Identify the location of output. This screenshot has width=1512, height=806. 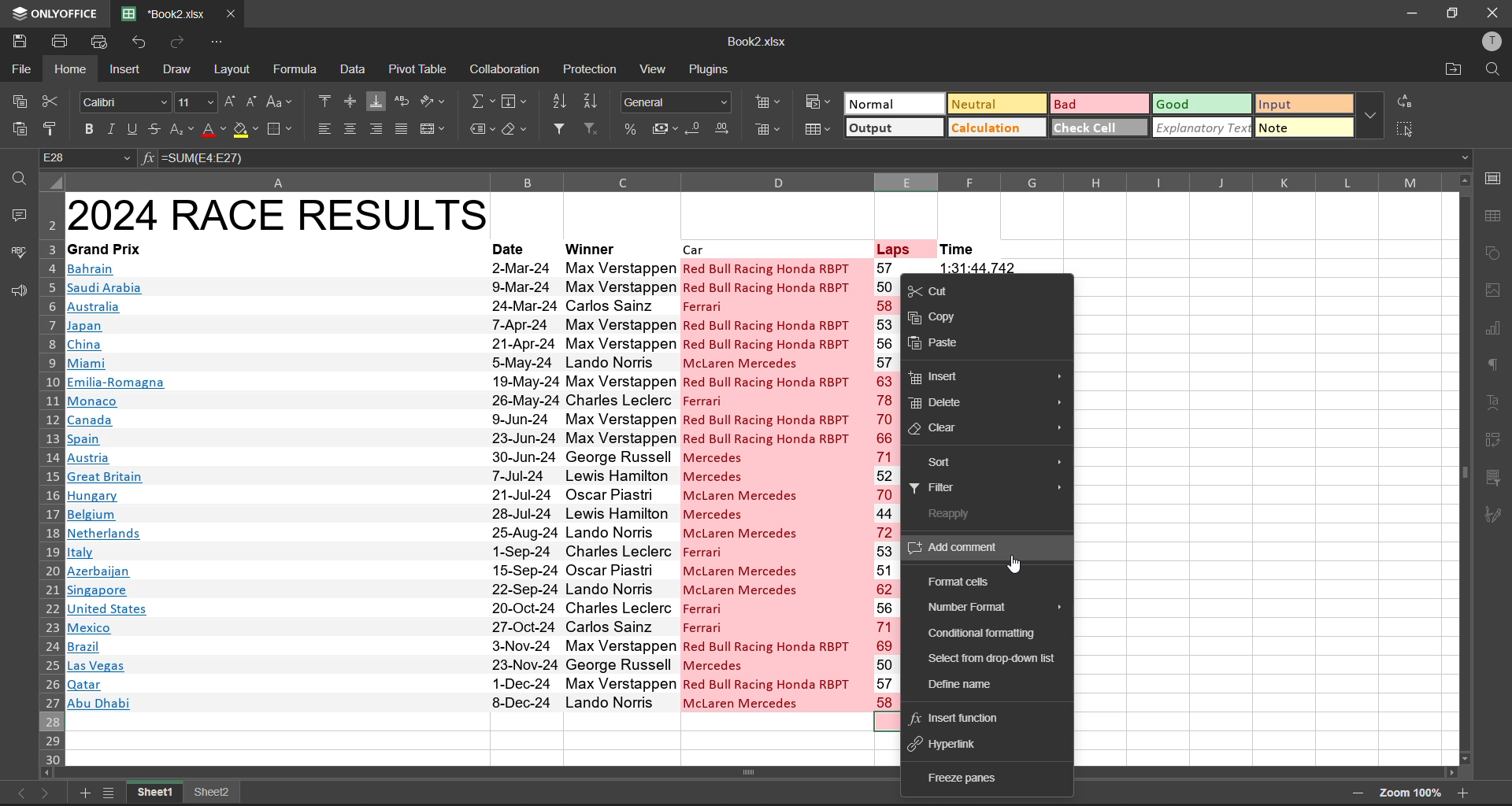
(892, 129).